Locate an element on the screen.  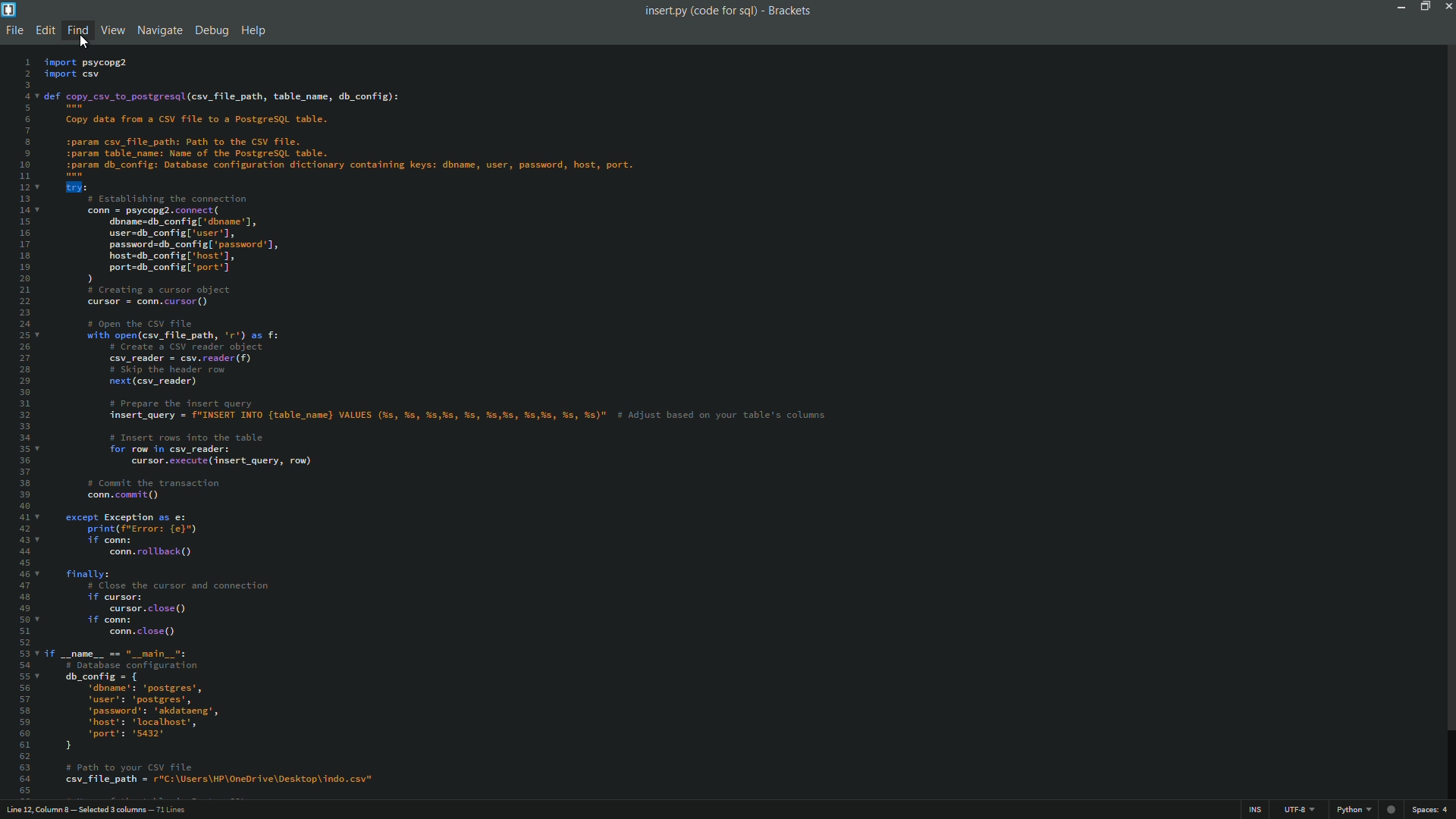
file encoding is located at coordinates (1301, 811).